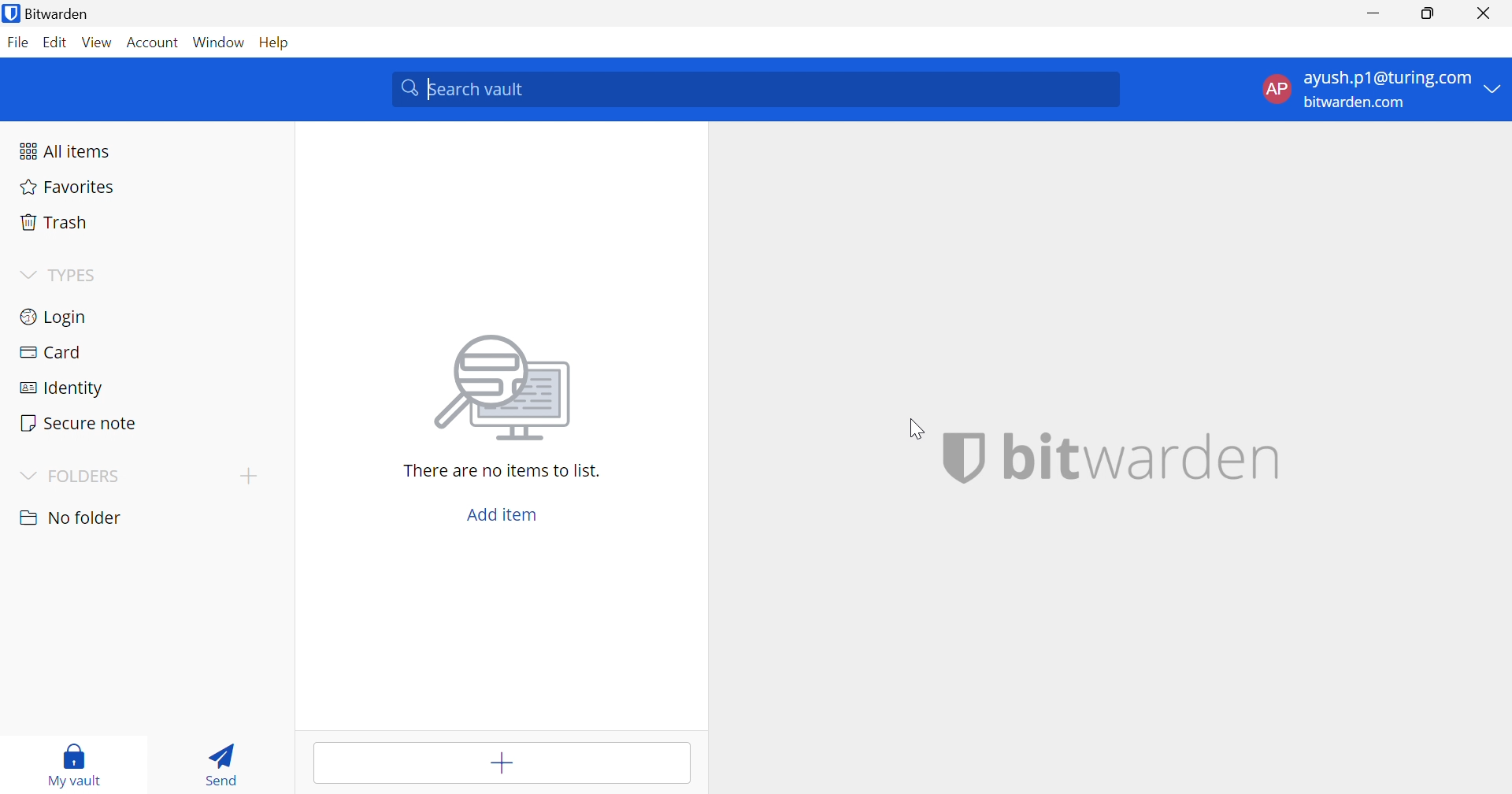  Describe the element at coordinates (1485, 14) in the screenshot. I see `Close` at that location.